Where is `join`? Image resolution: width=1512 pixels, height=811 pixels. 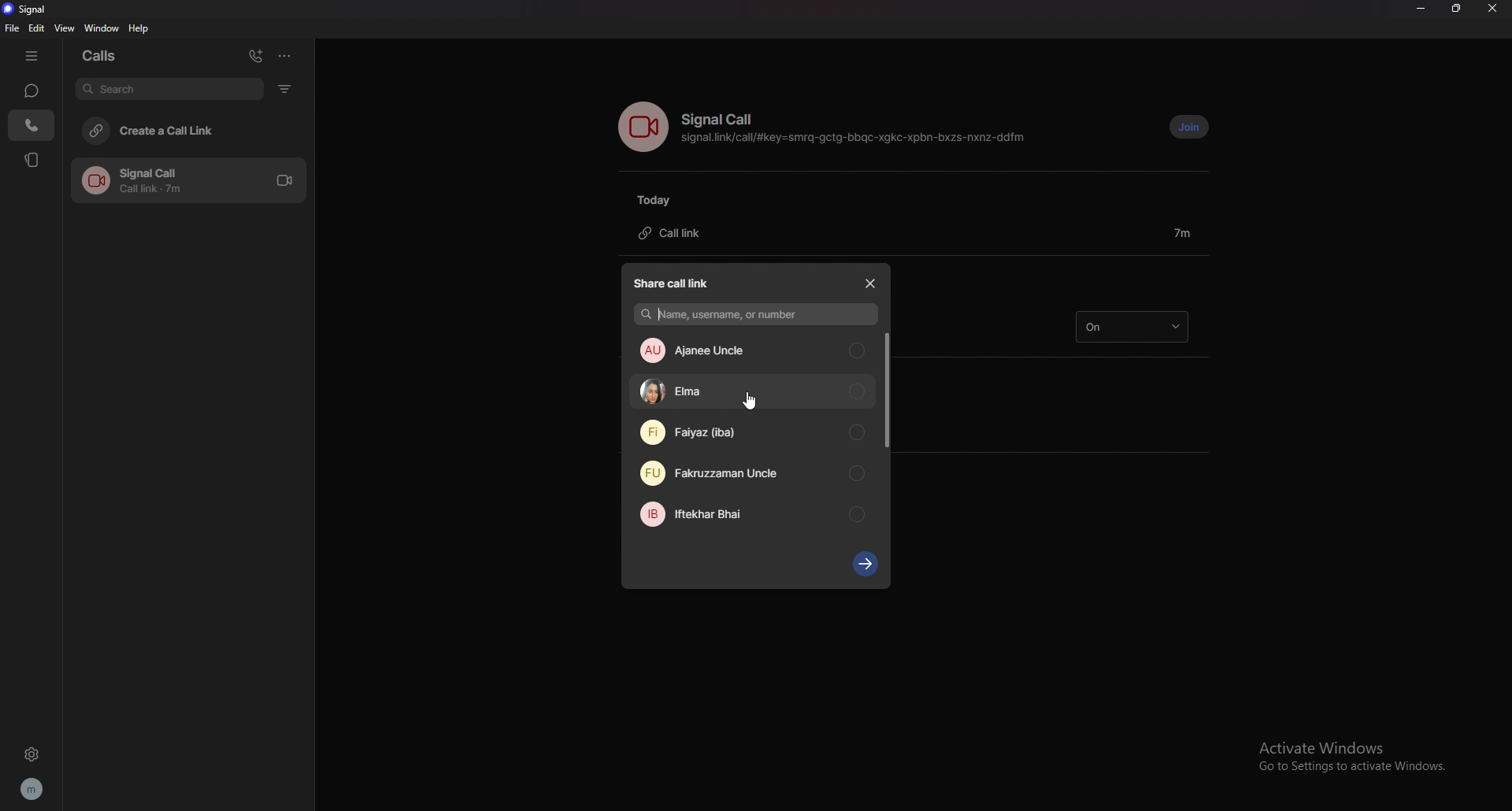 join is located at coordinates (1189, 128).